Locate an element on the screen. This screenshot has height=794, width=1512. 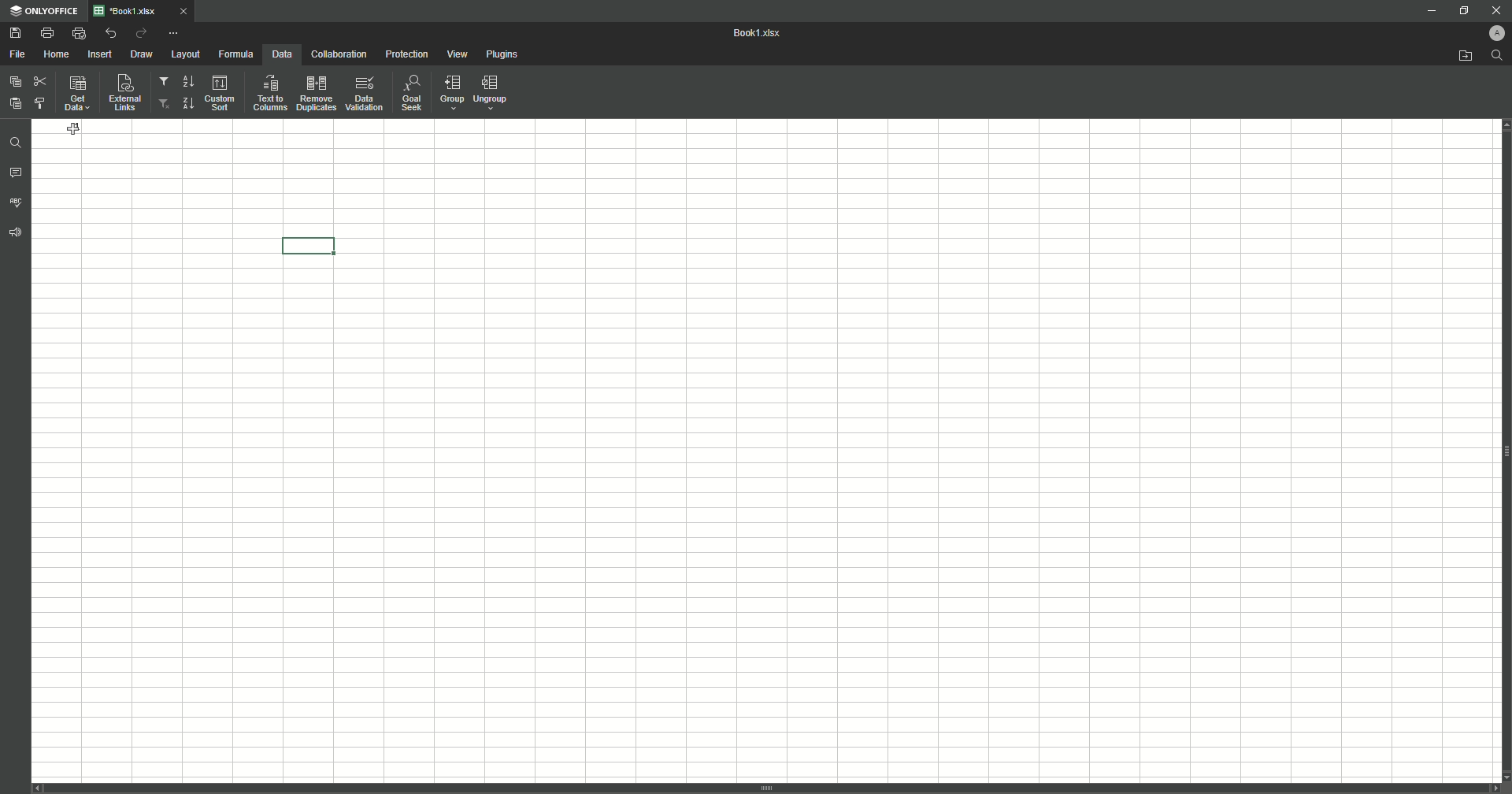
Open from file is located at coordinates (1458, 57).